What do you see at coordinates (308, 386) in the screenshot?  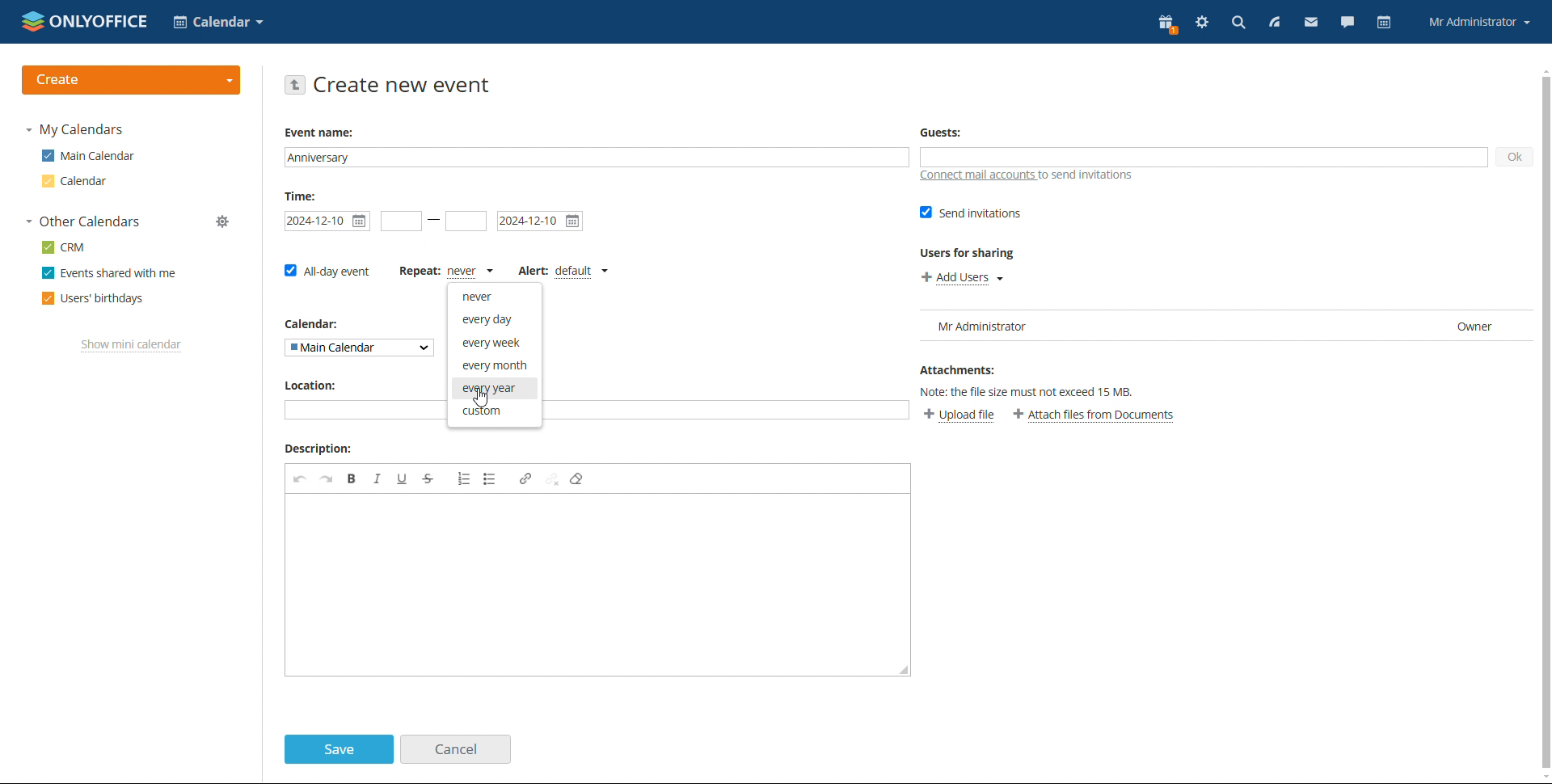 I see `Location:` at bounding box center [308, 386].